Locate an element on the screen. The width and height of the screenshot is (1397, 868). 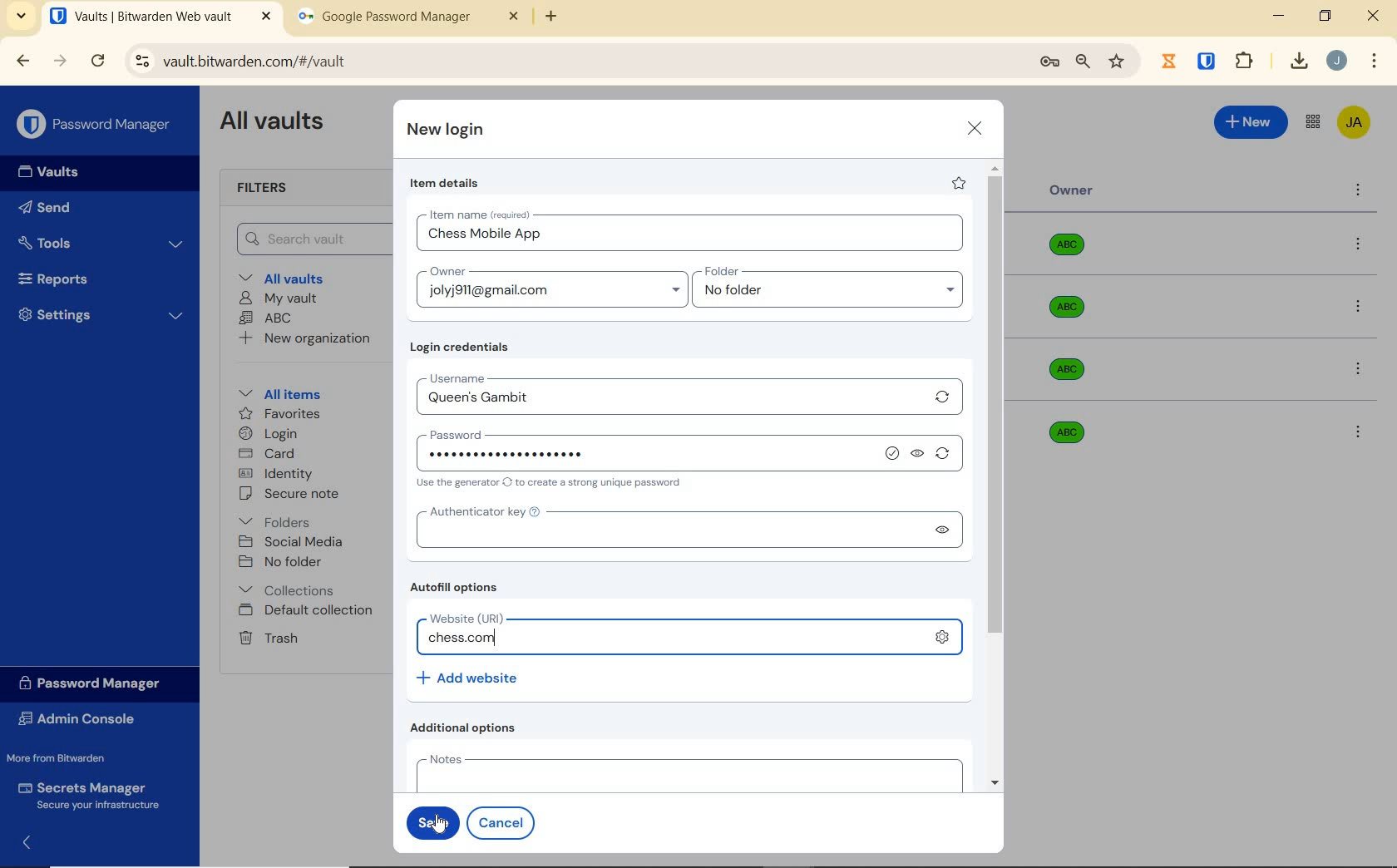
Tools is located at coordinates (101, 244).